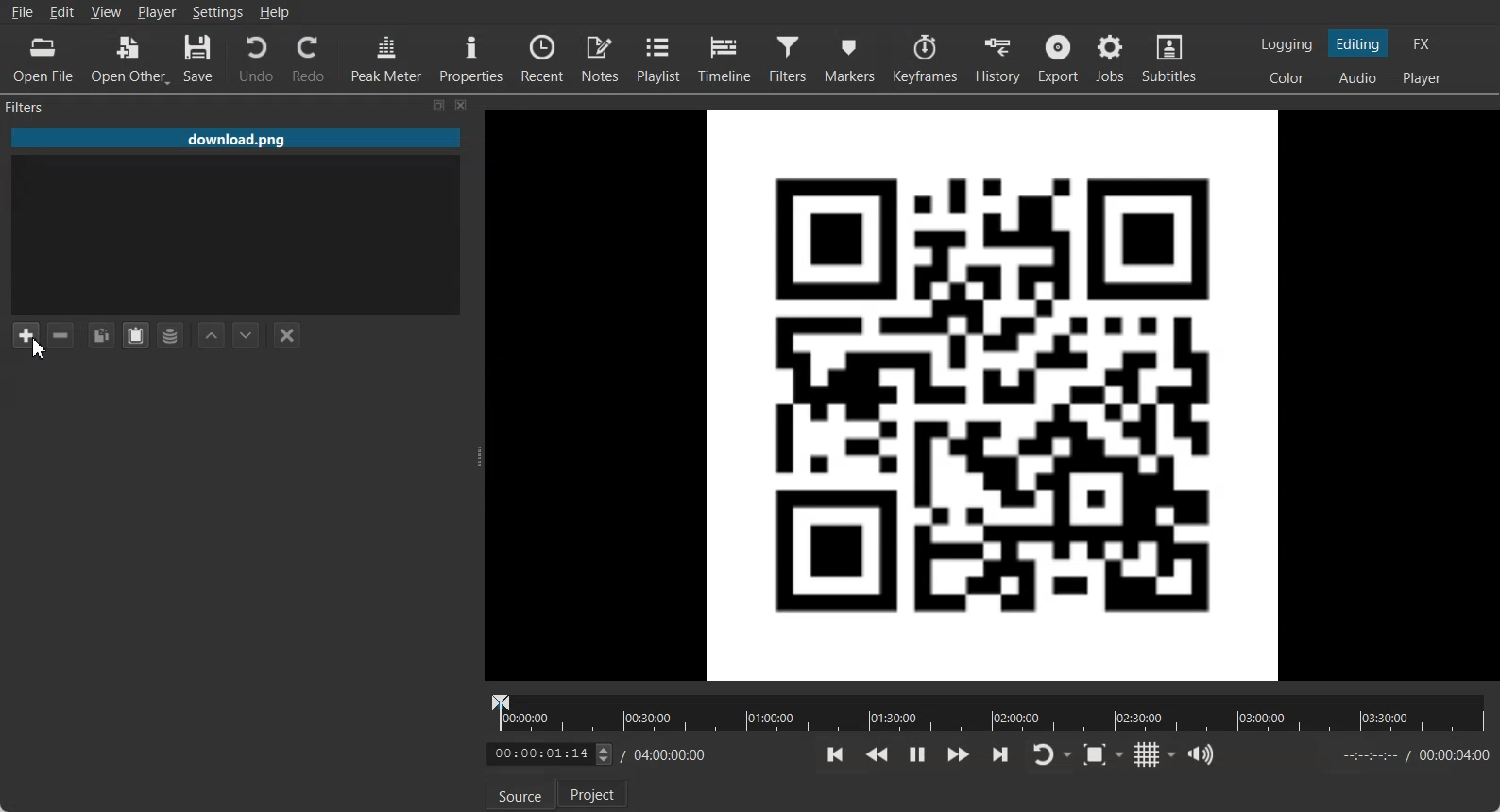 This screenshot has height=812, width=1500. I want to click on View, so click(106, 11).